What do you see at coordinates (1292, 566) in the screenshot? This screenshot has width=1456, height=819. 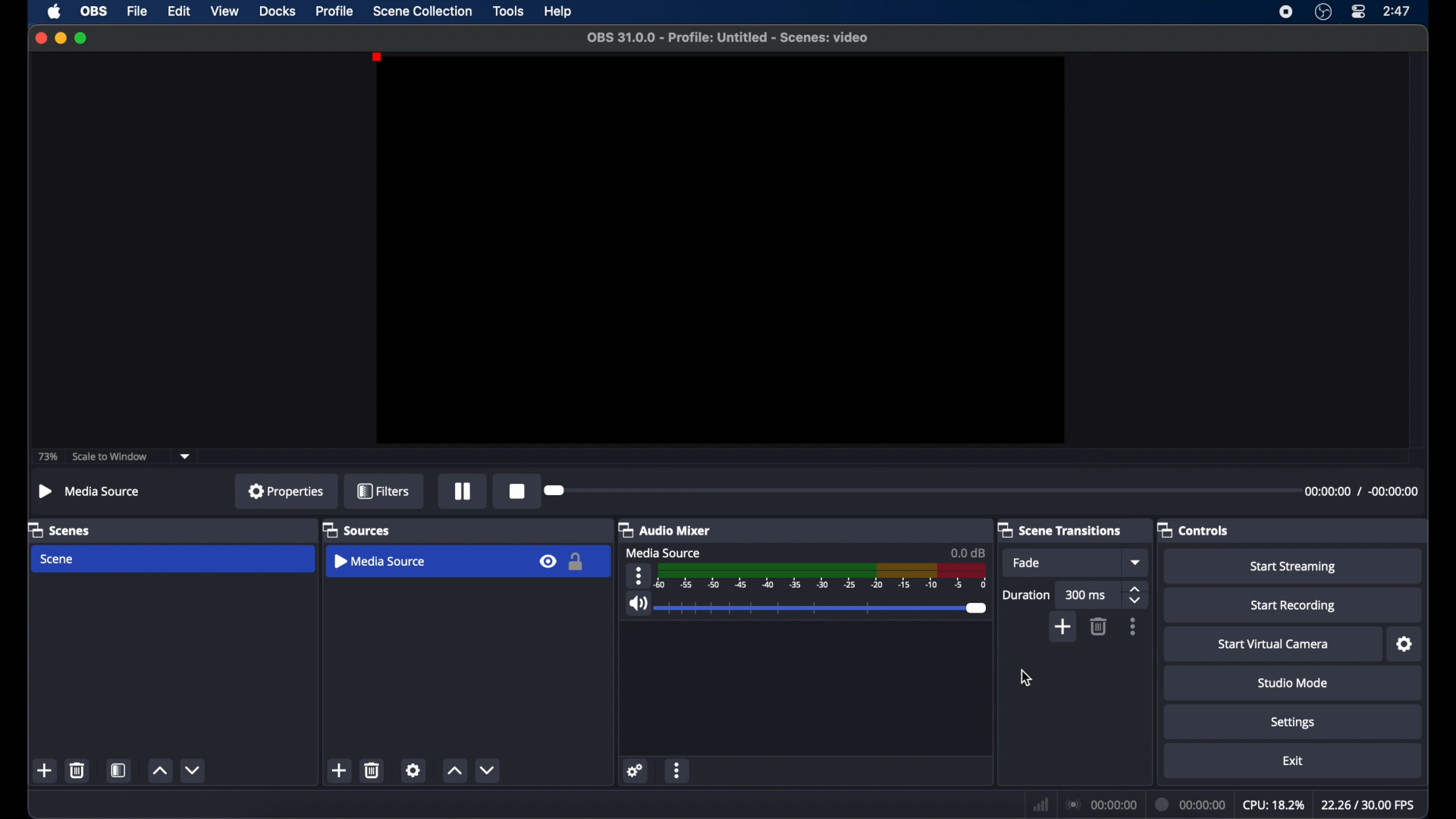 I see `start streaming` at bounding box center [1292, 566].